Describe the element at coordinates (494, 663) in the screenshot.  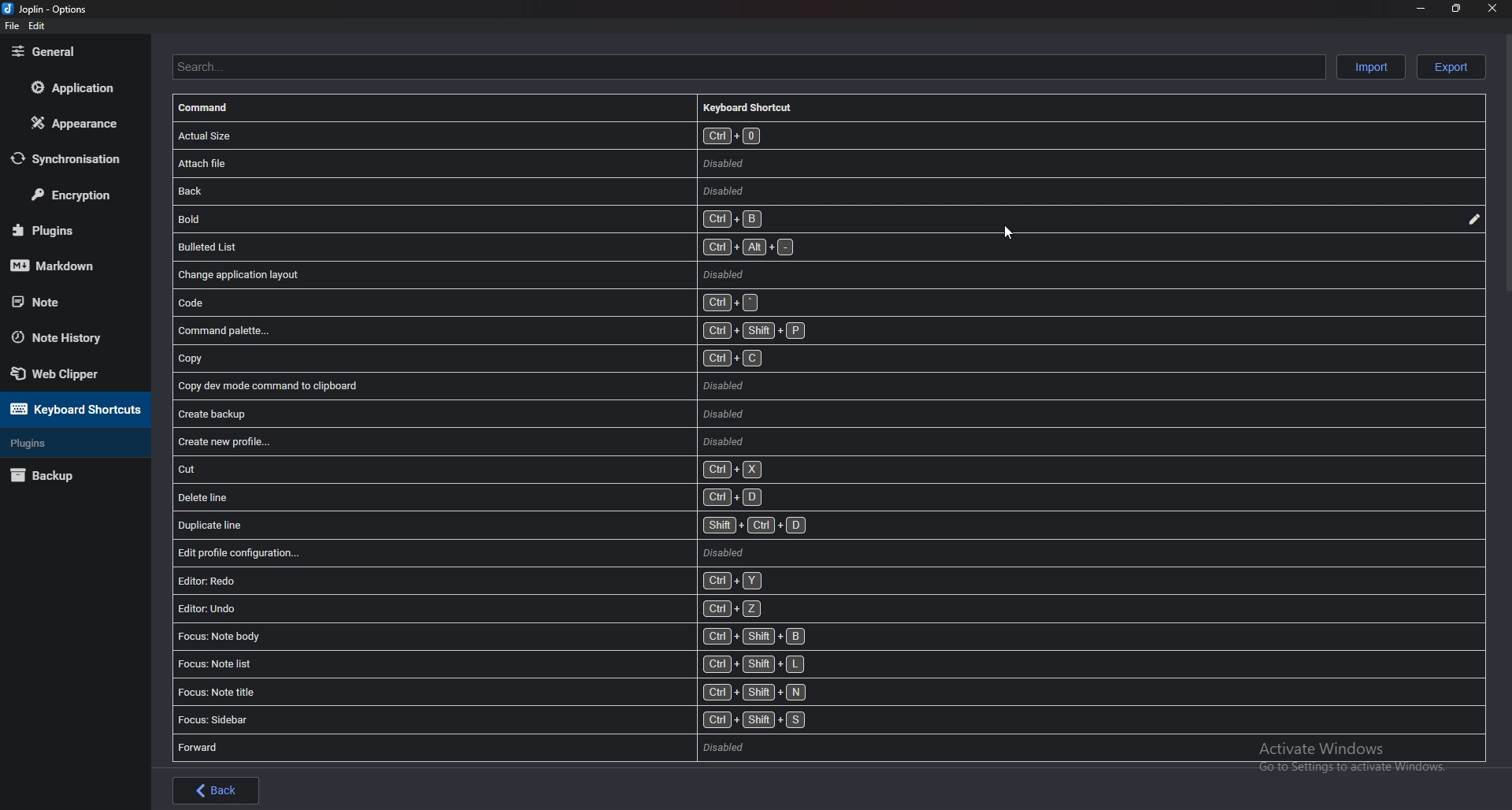
I see `Focus note list` at that location.